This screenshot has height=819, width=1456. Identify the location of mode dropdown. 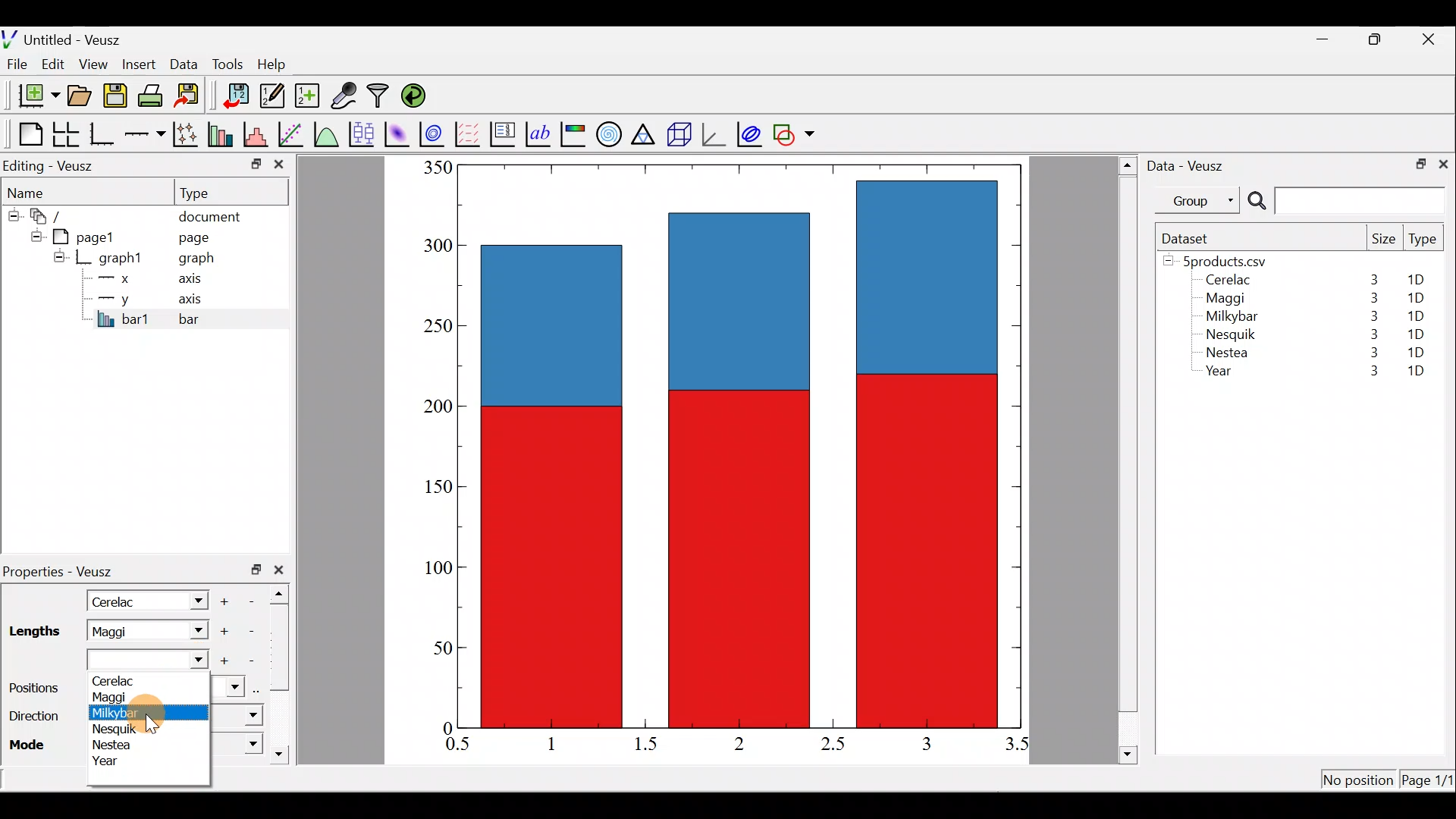
(237, 743).